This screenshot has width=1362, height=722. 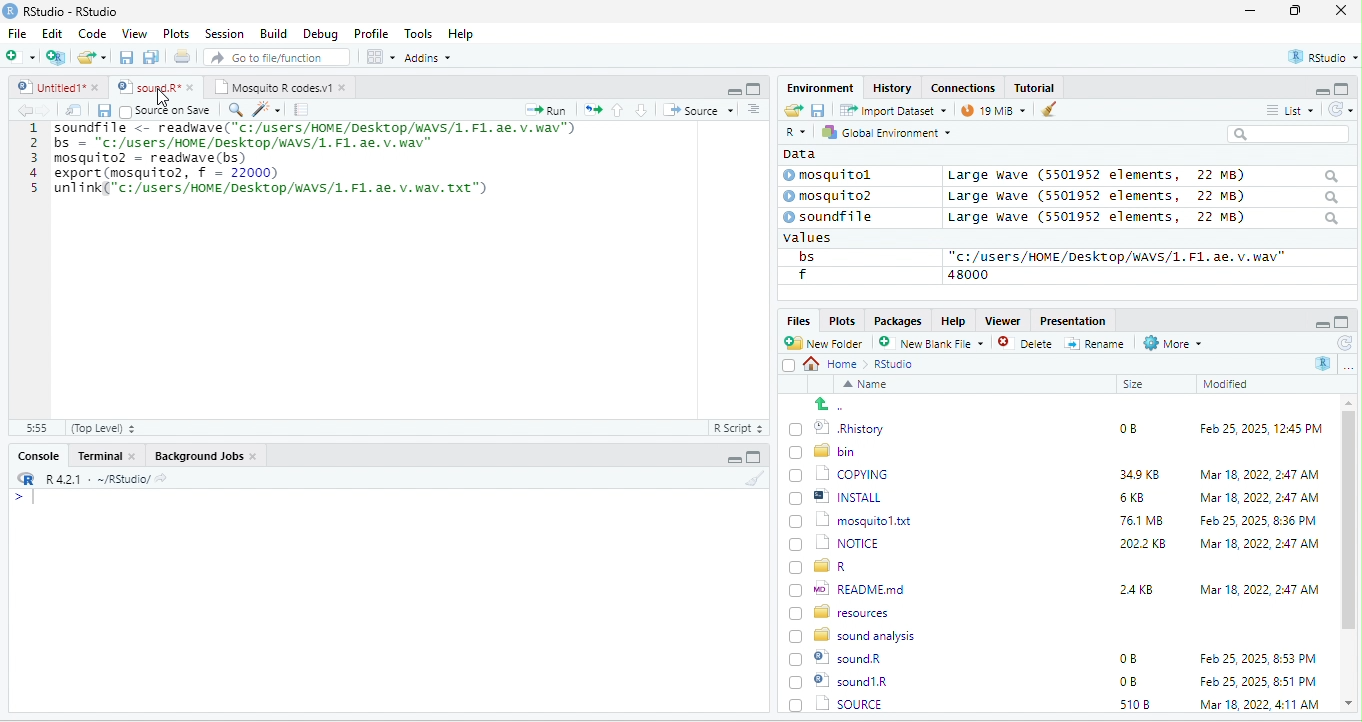 I want to click on © soundfile, so click(x=837, y=216).